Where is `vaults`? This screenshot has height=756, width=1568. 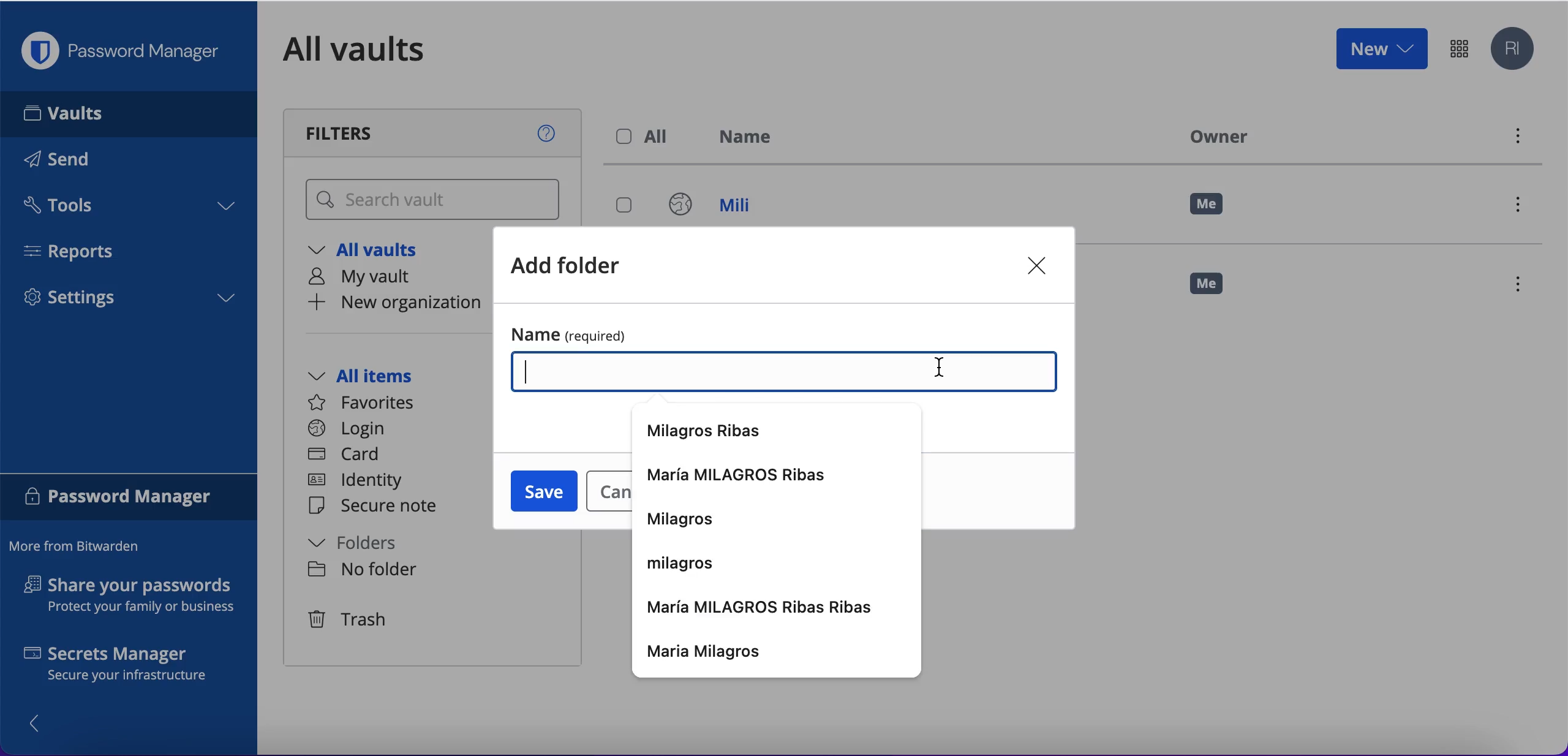
vaults is located at coordinates (129, 113).